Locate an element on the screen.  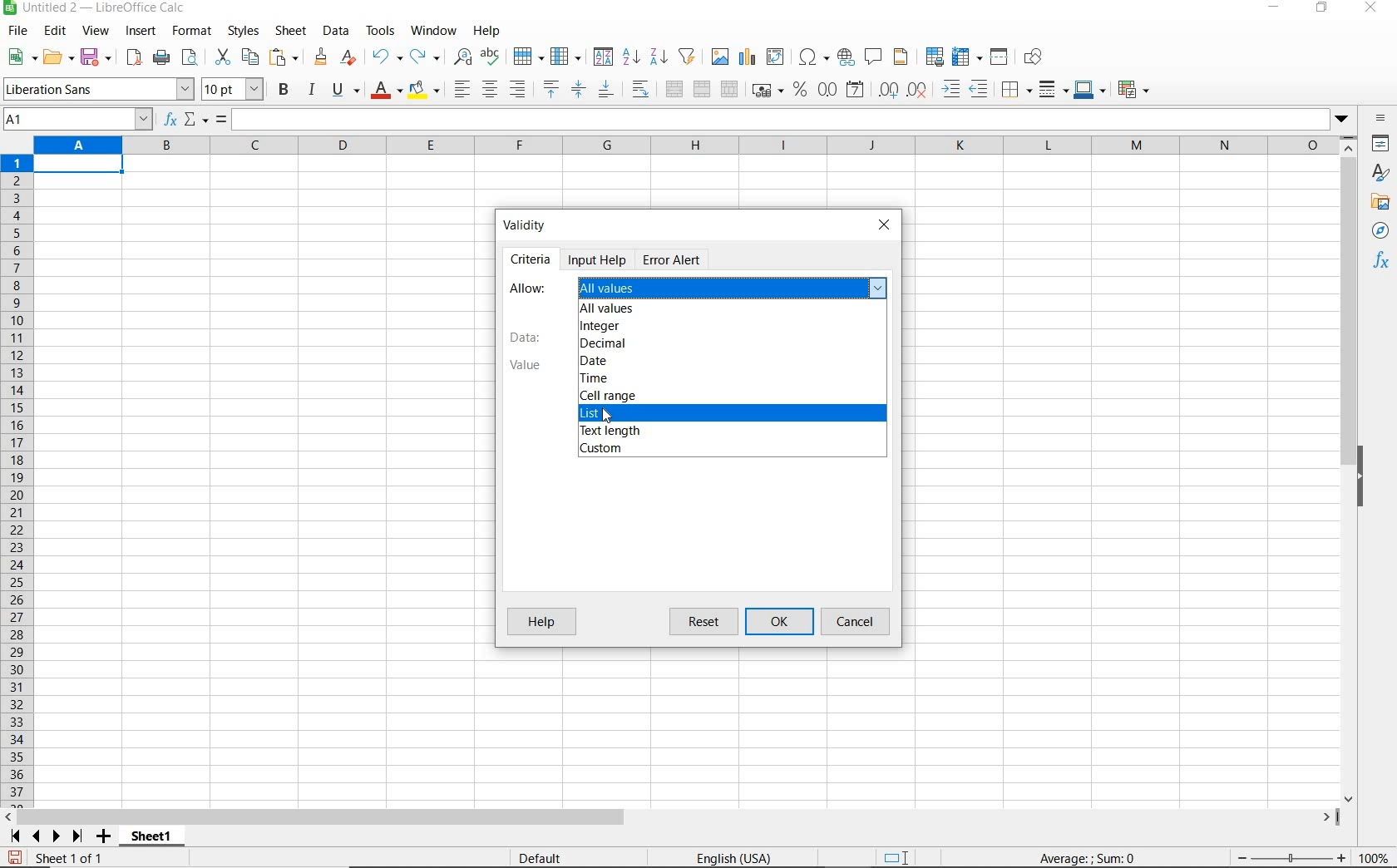
delete decimal place is located at coordinates (918, 89).